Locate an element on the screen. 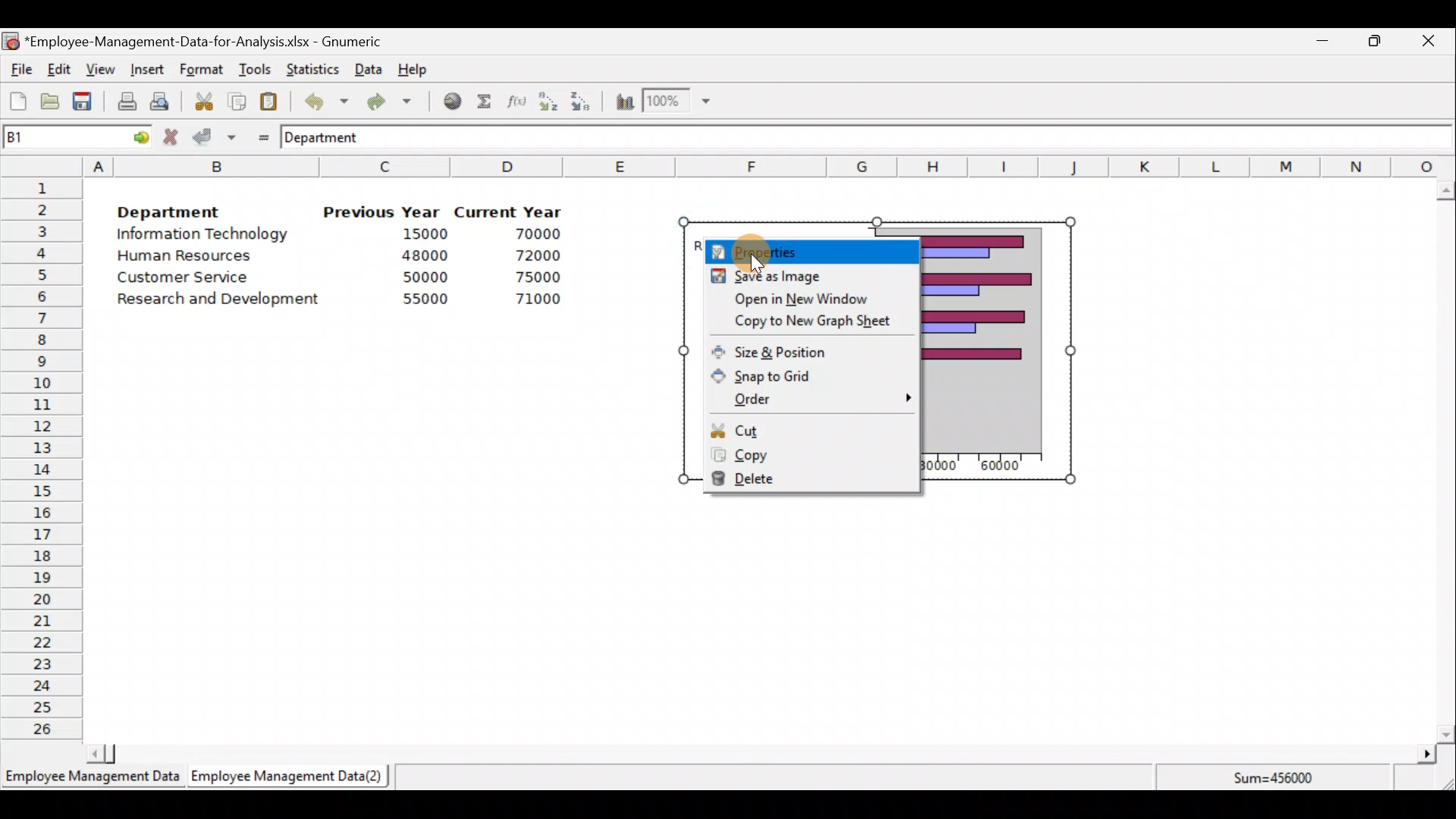  Chart preview is located at coordinates (982, 341).